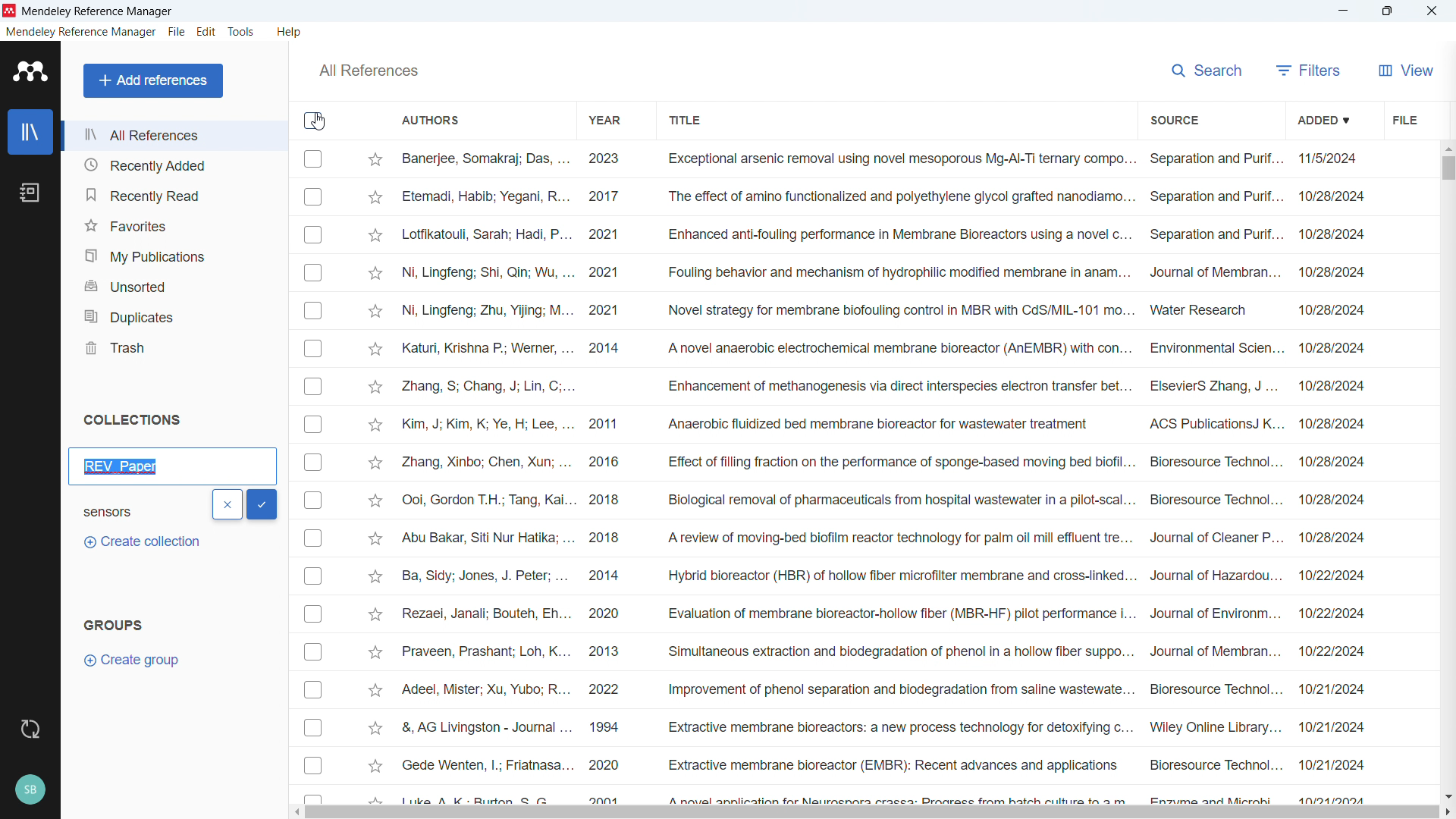 The width and height of the screenshot is (1456, 819). Describe the element at coordinates (313, 425) in the screenshot. I see `Select respective publication` at that location.